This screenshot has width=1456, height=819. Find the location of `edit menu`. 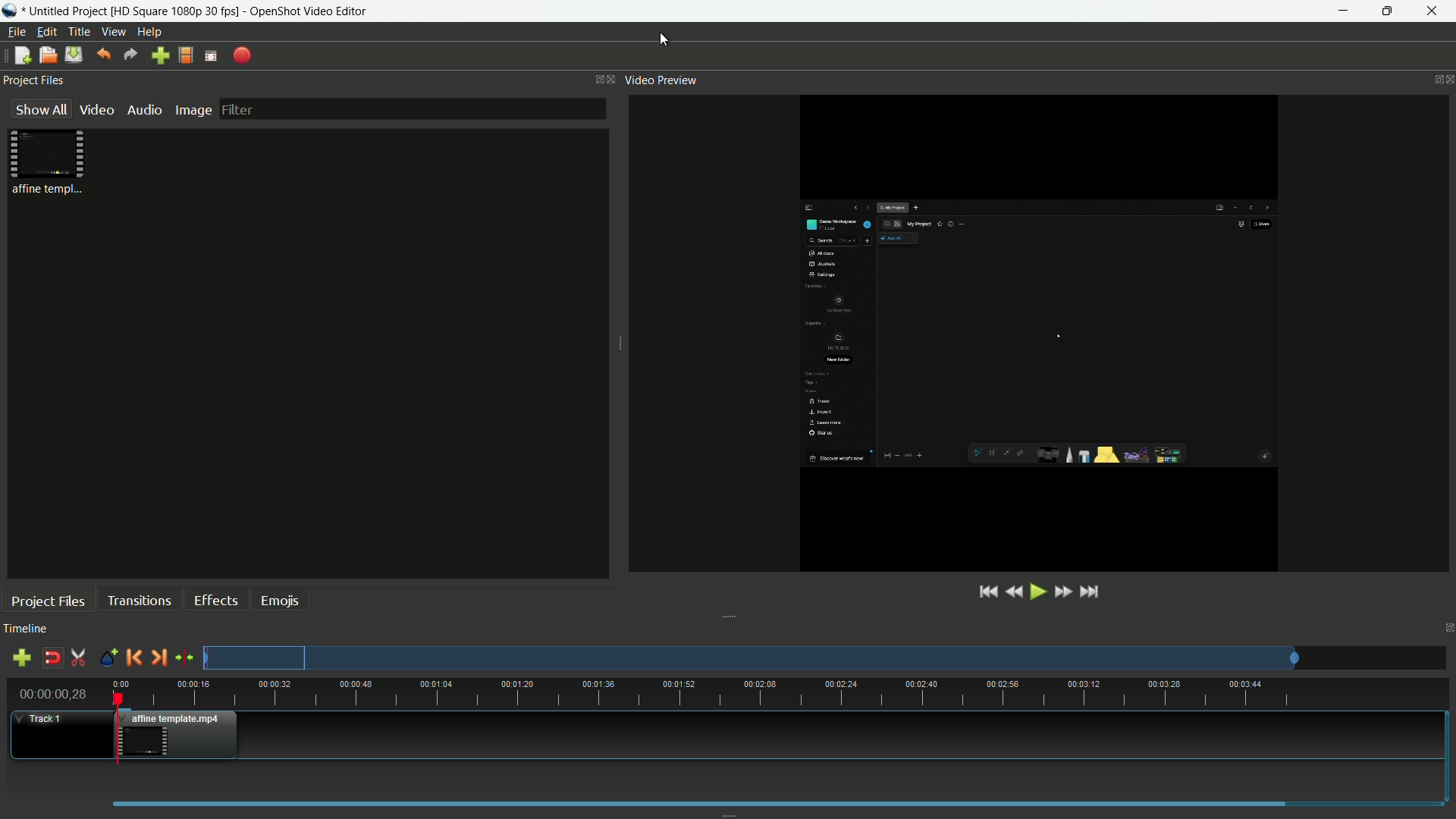

edit menu is located at coordinates (46, 32).